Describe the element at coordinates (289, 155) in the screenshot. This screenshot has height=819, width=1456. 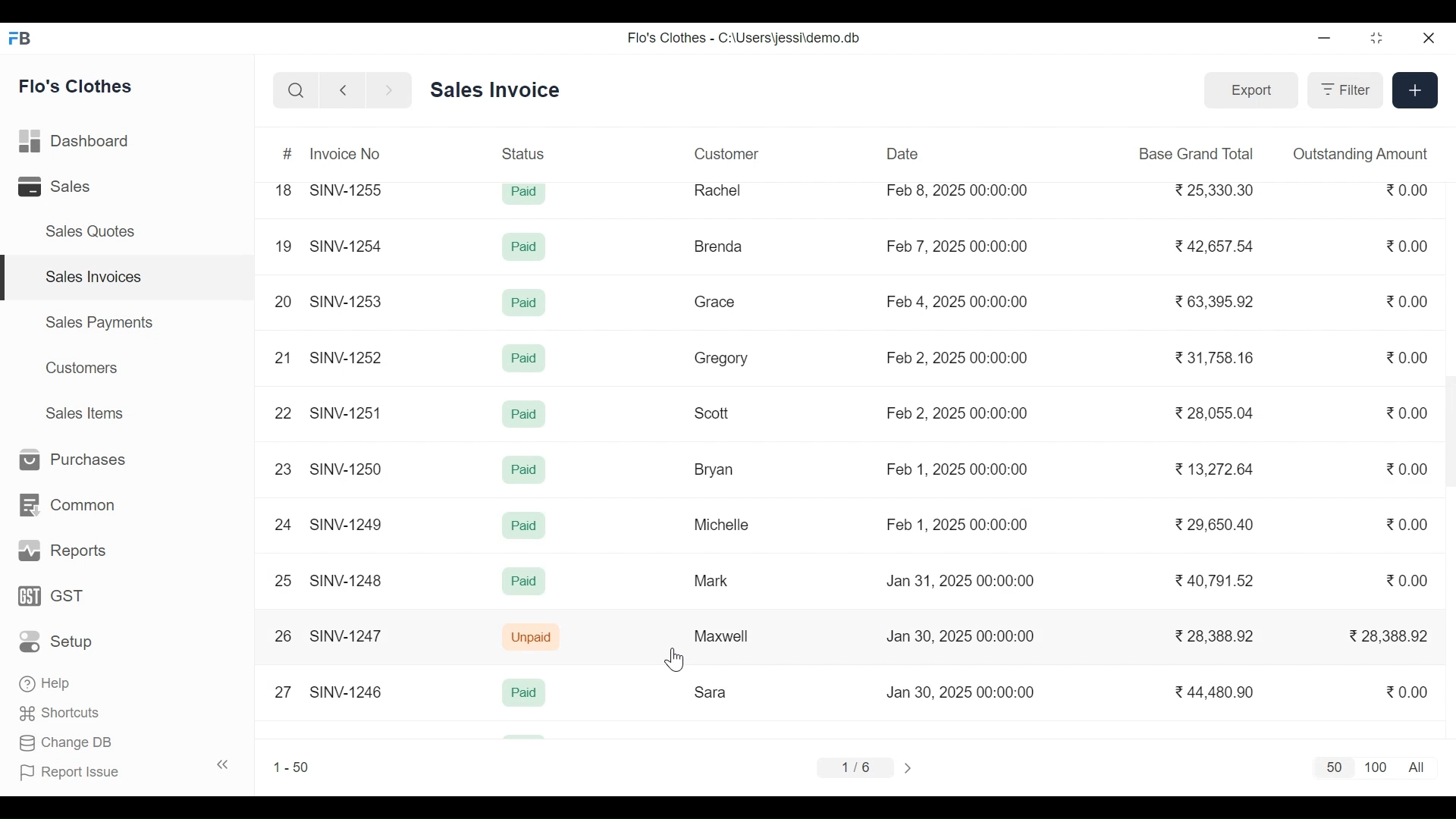
I see `#` at that location.